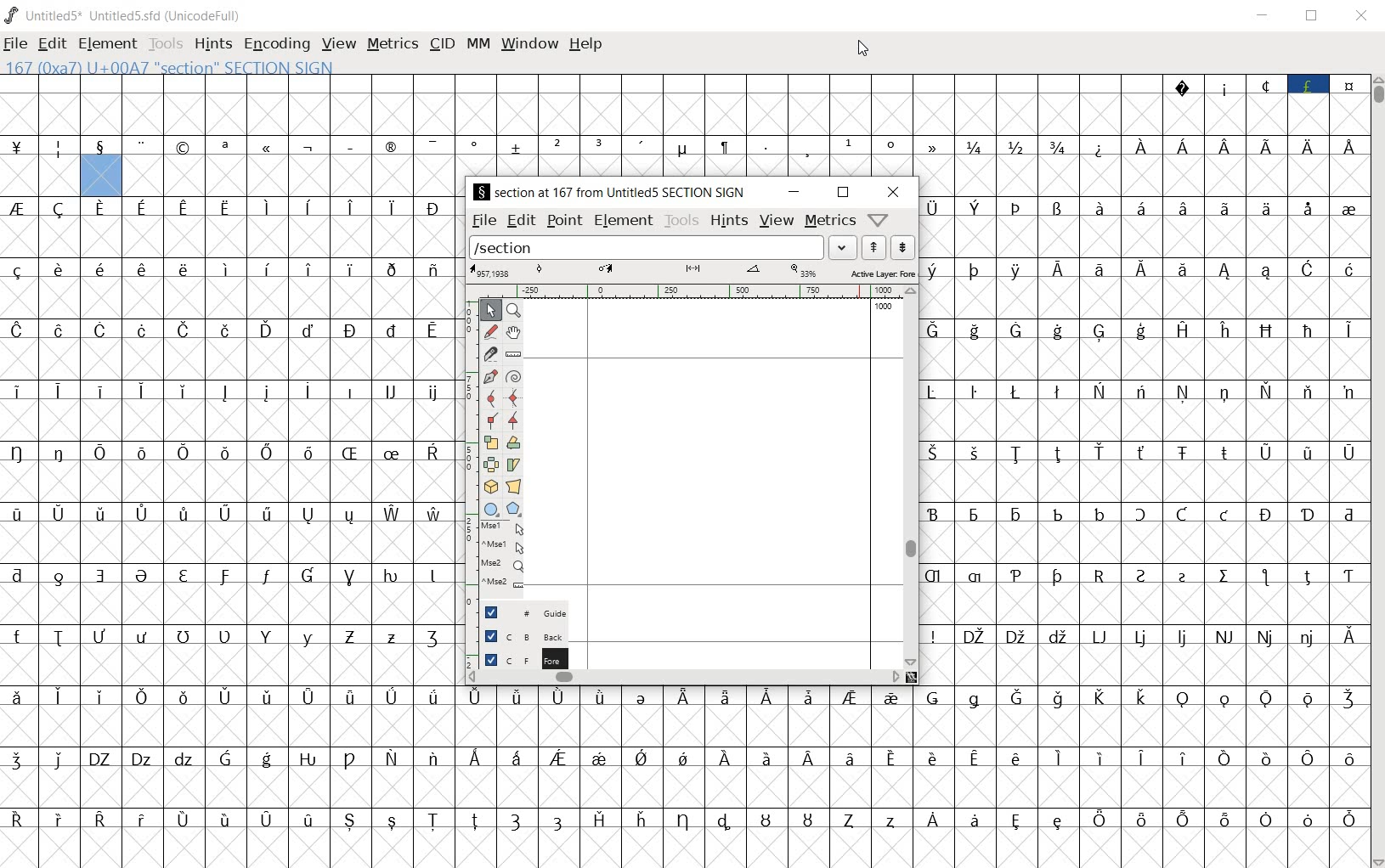 The height and width of the screenshot is (868, 1385). Describe the element at coordinates (1142, 452) in the screenshot. I see `` at that location.